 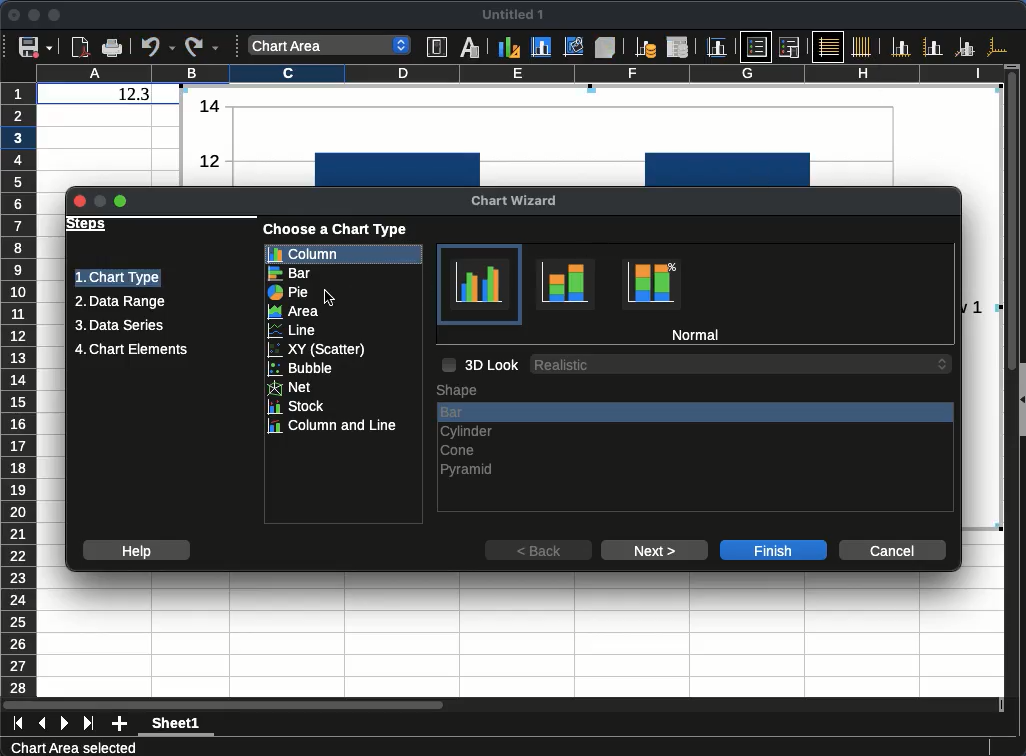 I want to click on data range, so click(x=120, y=303).